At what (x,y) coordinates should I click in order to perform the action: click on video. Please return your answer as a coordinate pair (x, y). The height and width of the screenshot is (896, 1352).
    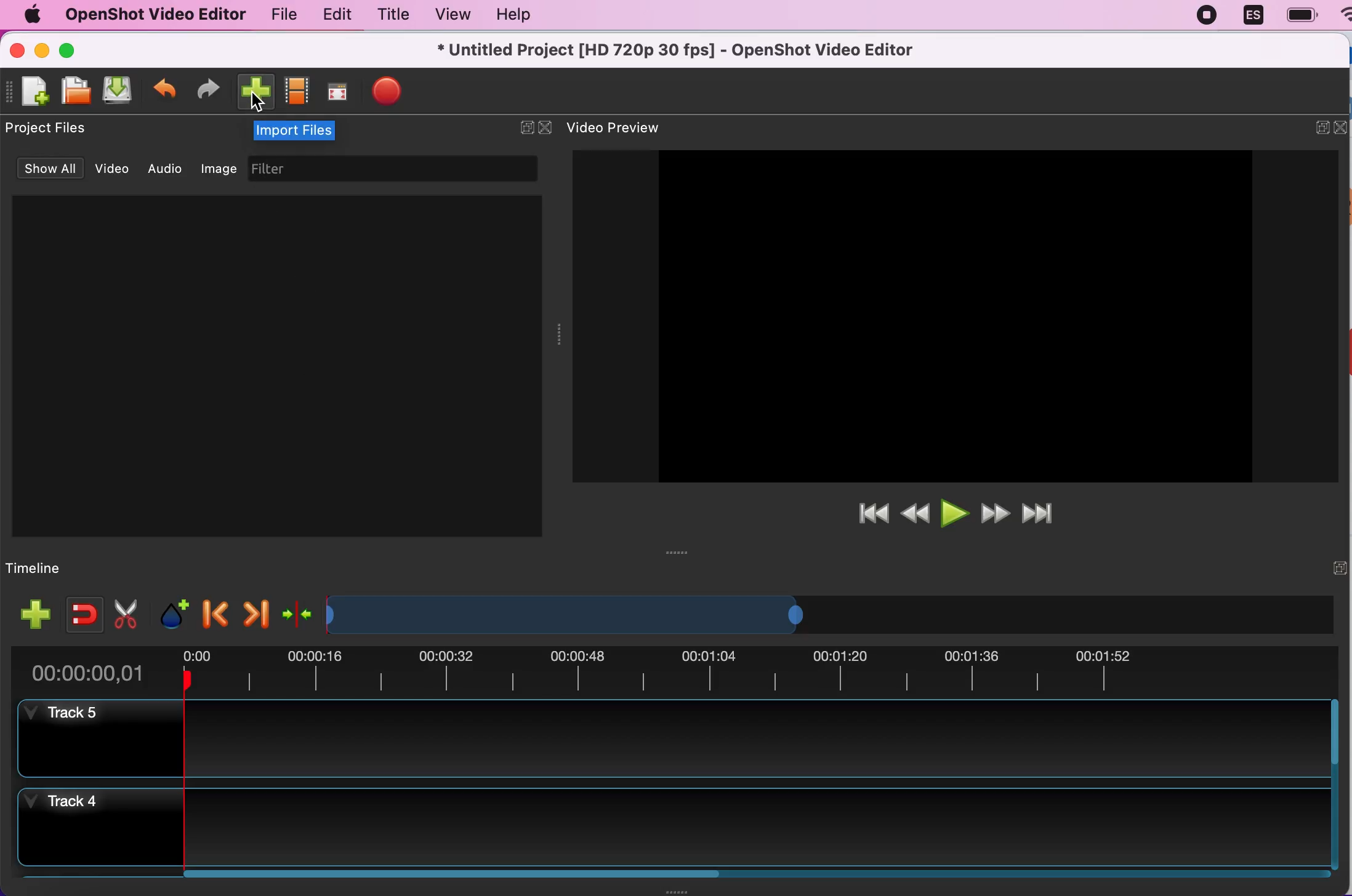
    Looking at the image, I should click on (111, 169).